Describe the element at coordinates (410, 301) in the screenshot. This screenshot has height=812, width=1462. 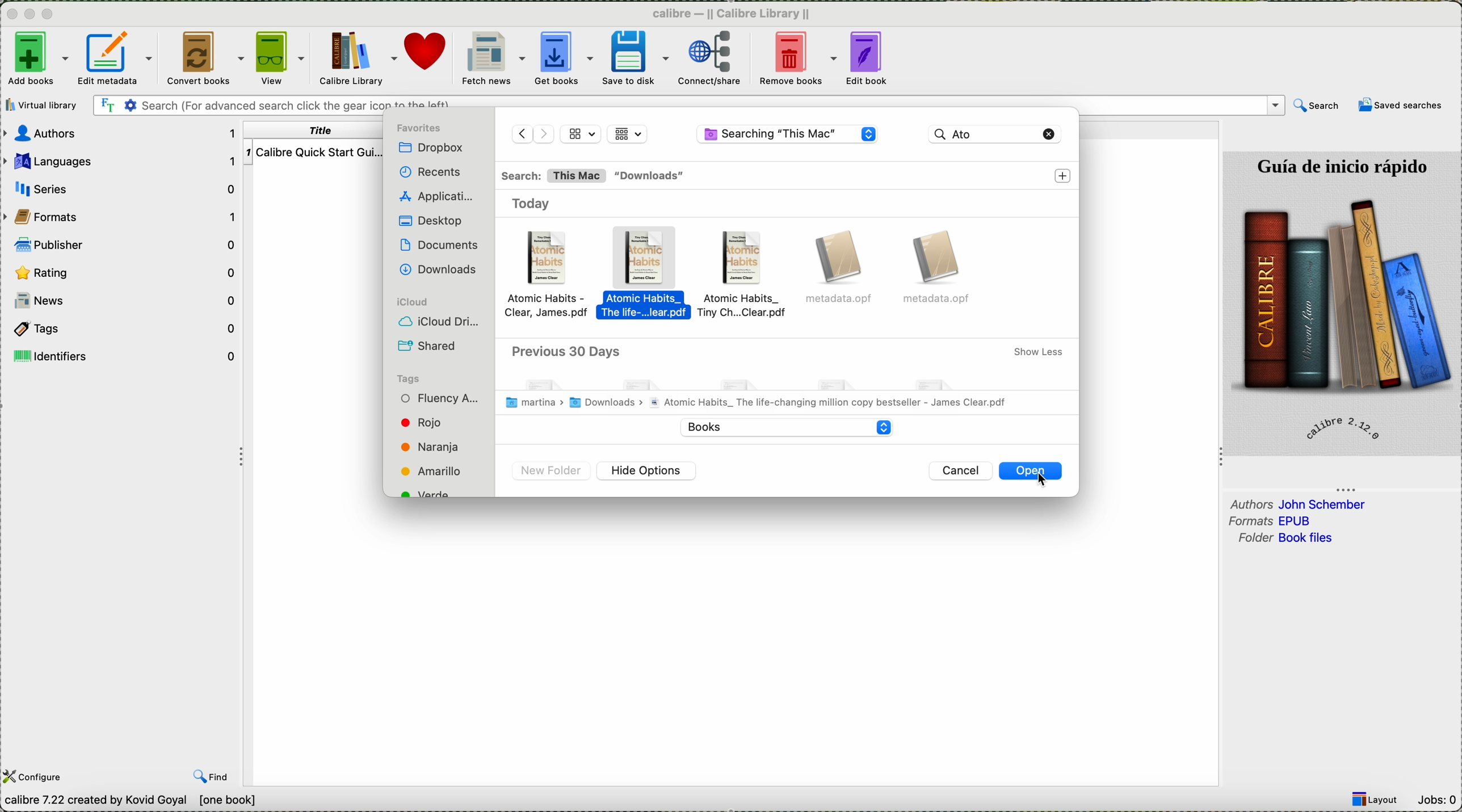
I see `icloud` at that location.